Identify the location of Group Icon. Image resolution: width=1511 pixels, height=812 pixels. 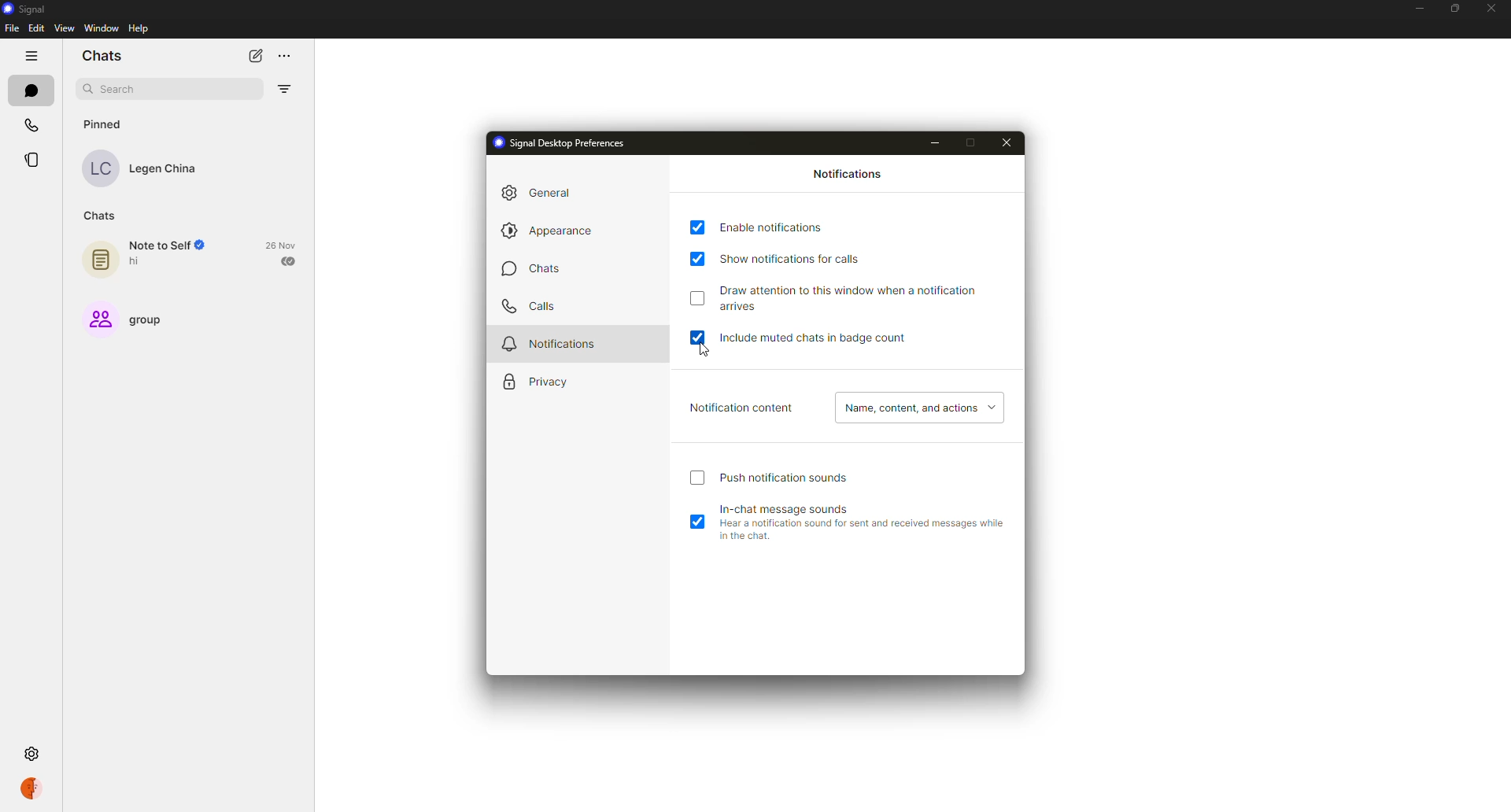
(100, 319).